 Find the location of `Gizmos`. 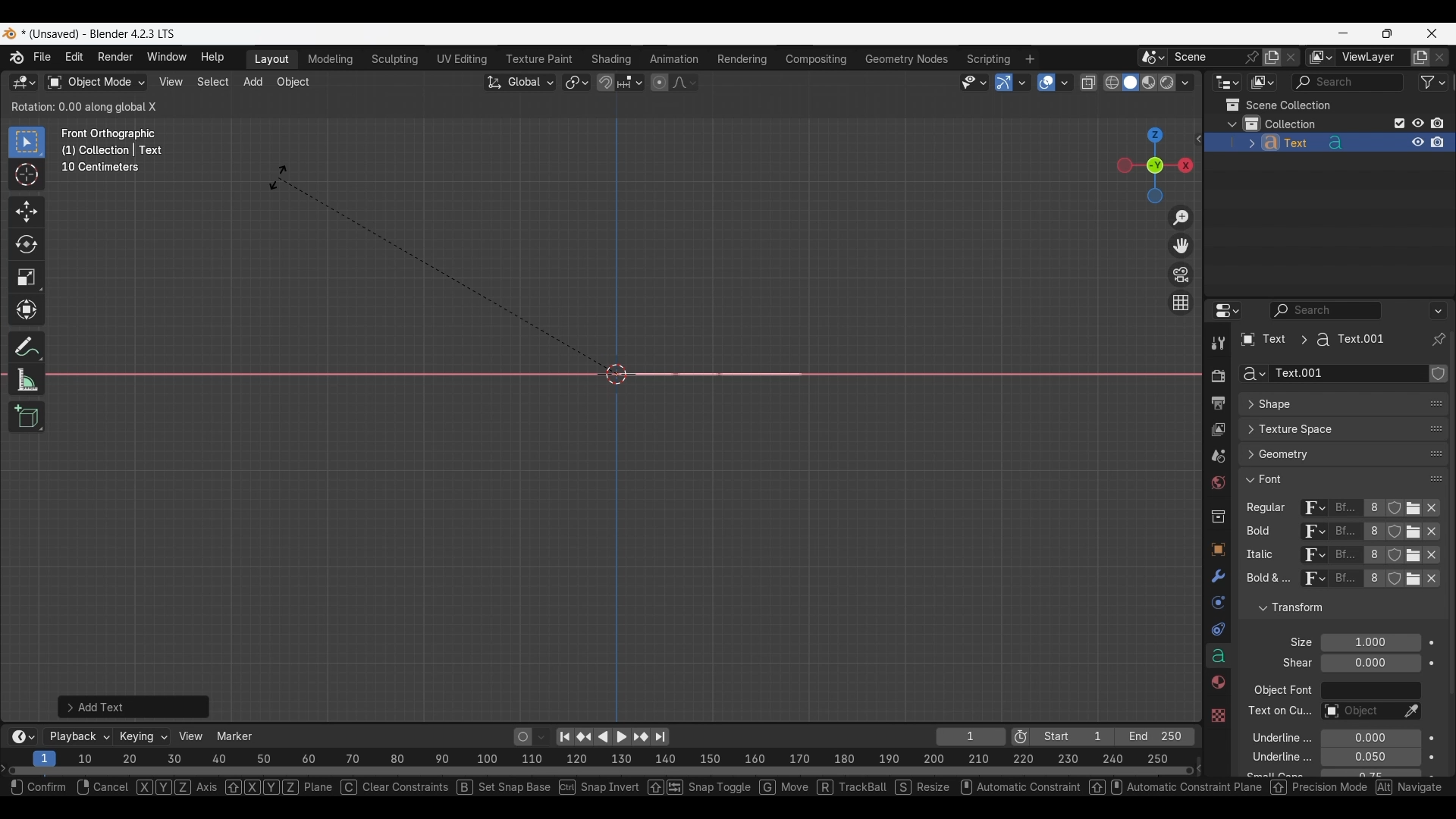

Gizmos is located at coordinates (1022, 82).